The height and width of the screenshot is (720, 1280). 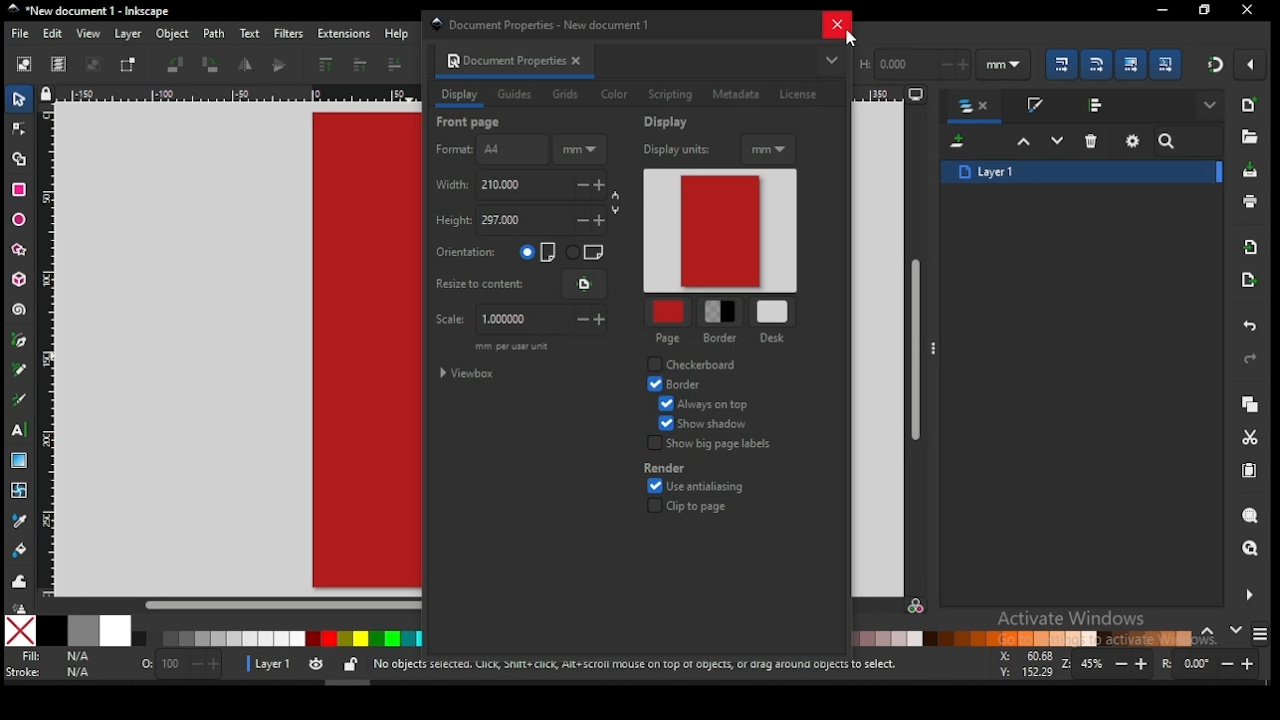 I want to click on viewbox, so click(x=469, y=374).